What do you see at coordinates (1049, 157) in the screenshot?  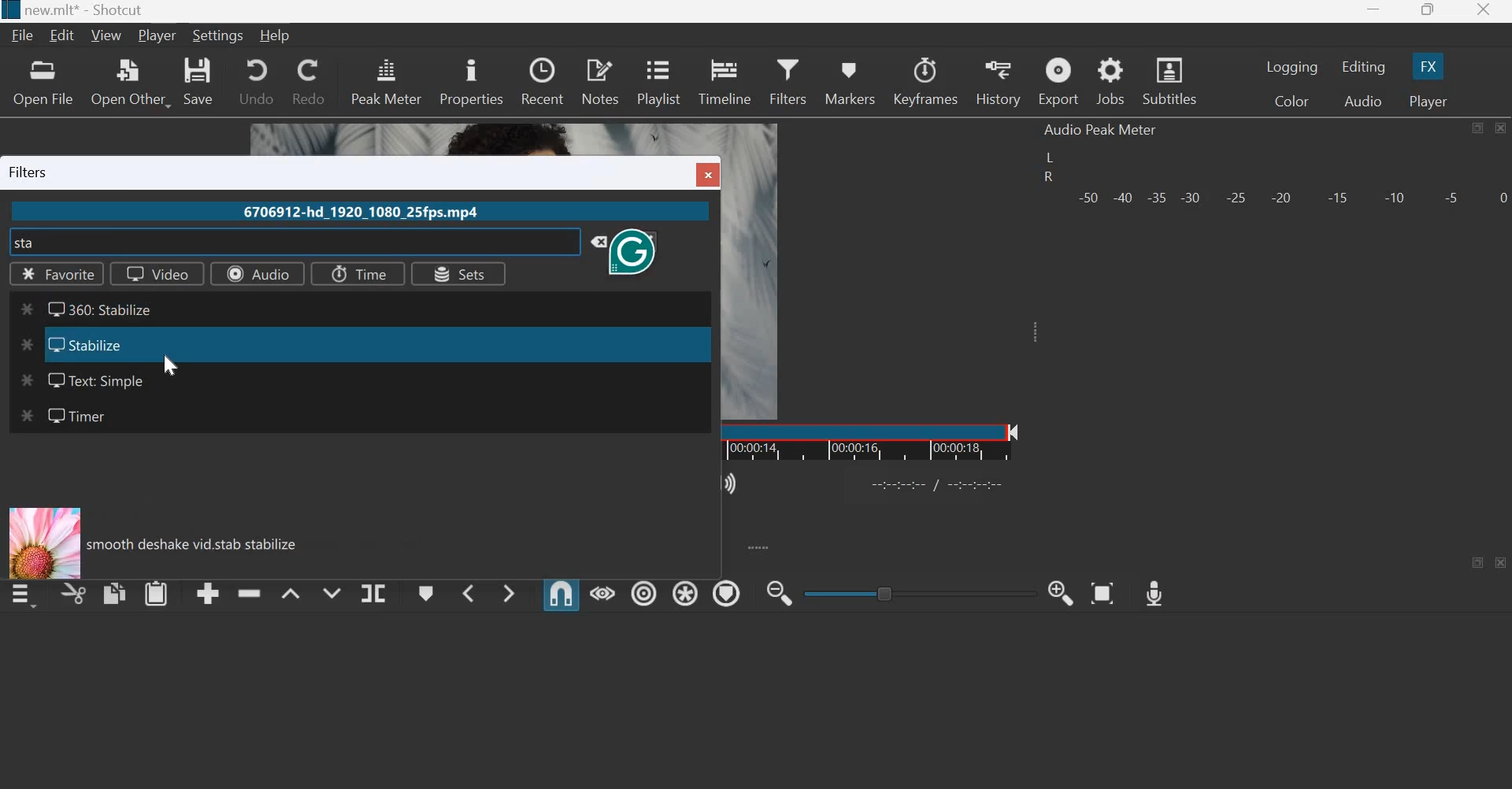 I see `Left` at bounding box center [1049, 157].